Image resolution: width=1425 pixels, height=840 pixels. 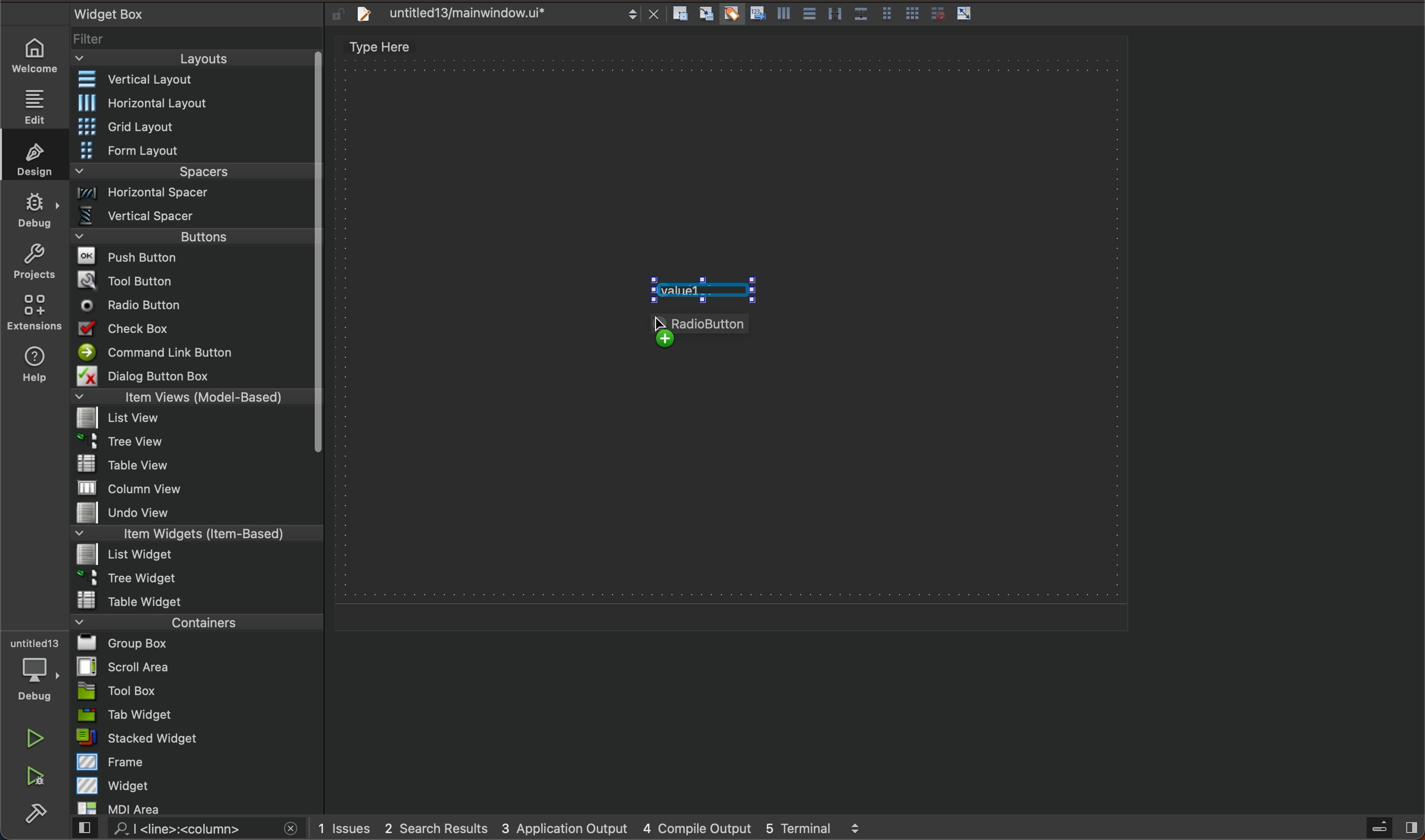 I want to click on layouts, so click(x=192, y=62).